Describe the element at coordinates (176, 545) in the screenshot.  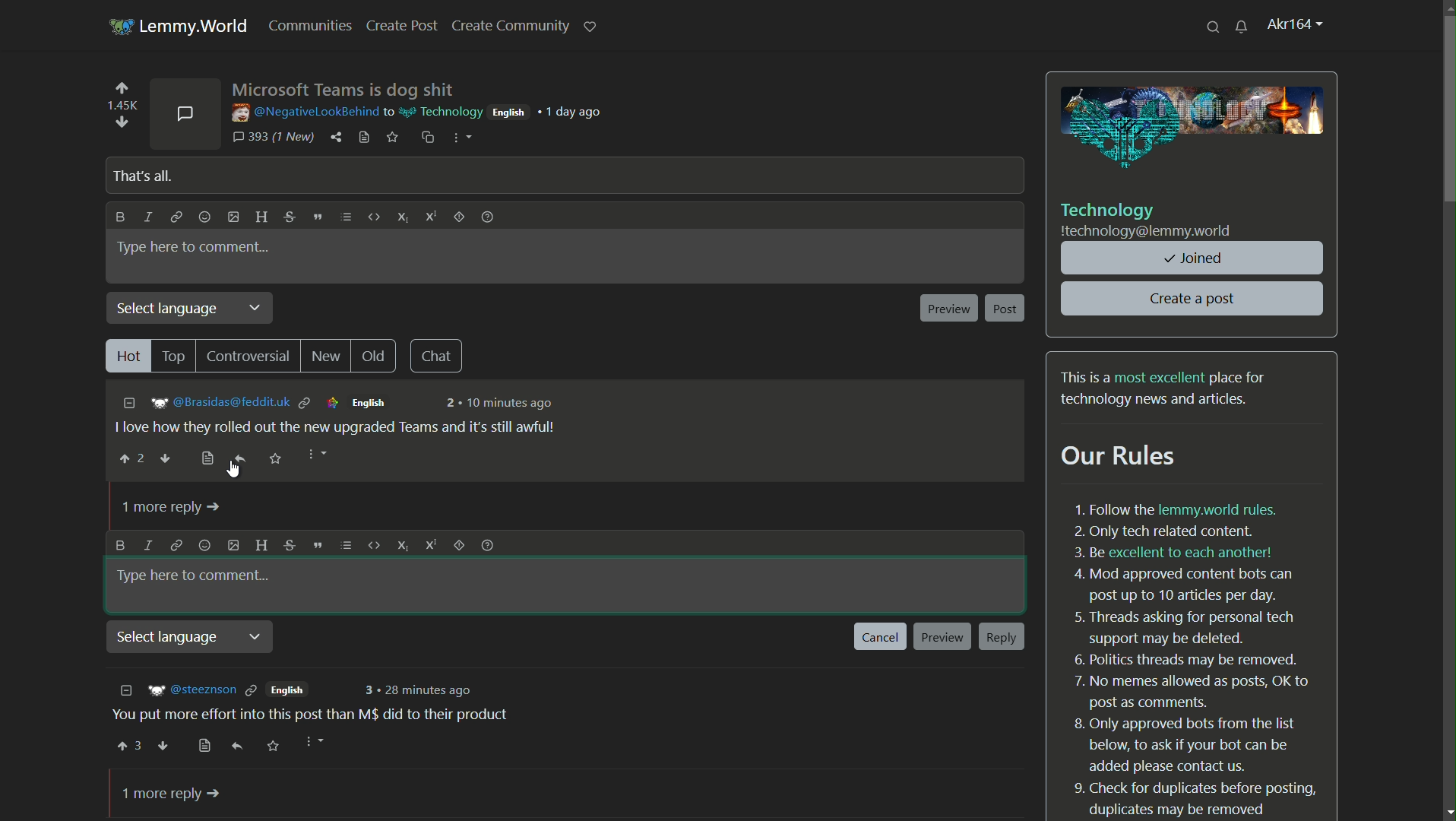
I see `link` at that location.